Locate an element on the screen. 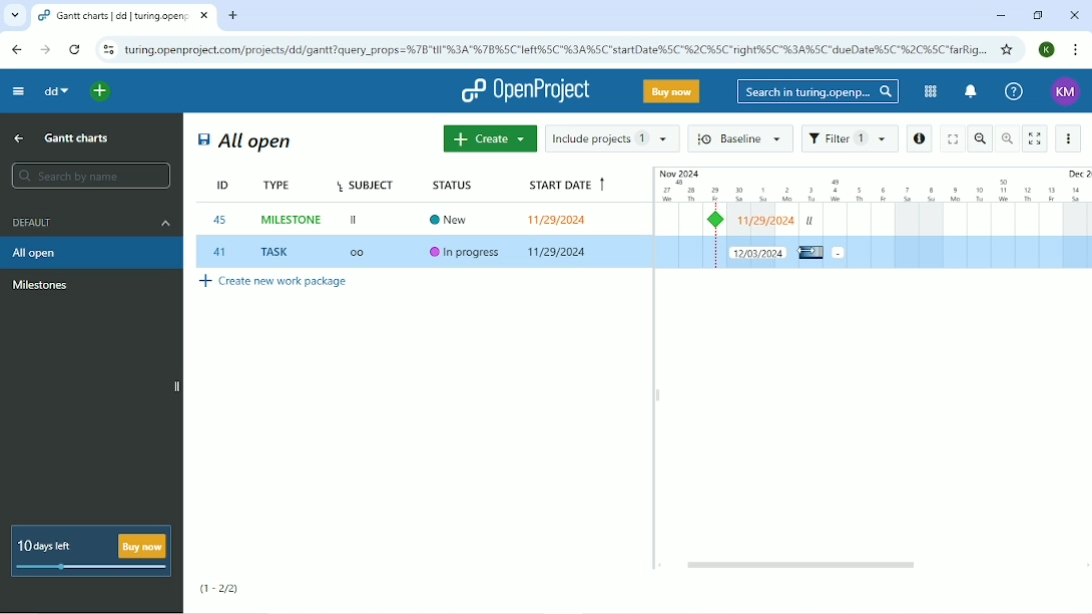  Start date is located at coordinates (564, 183).